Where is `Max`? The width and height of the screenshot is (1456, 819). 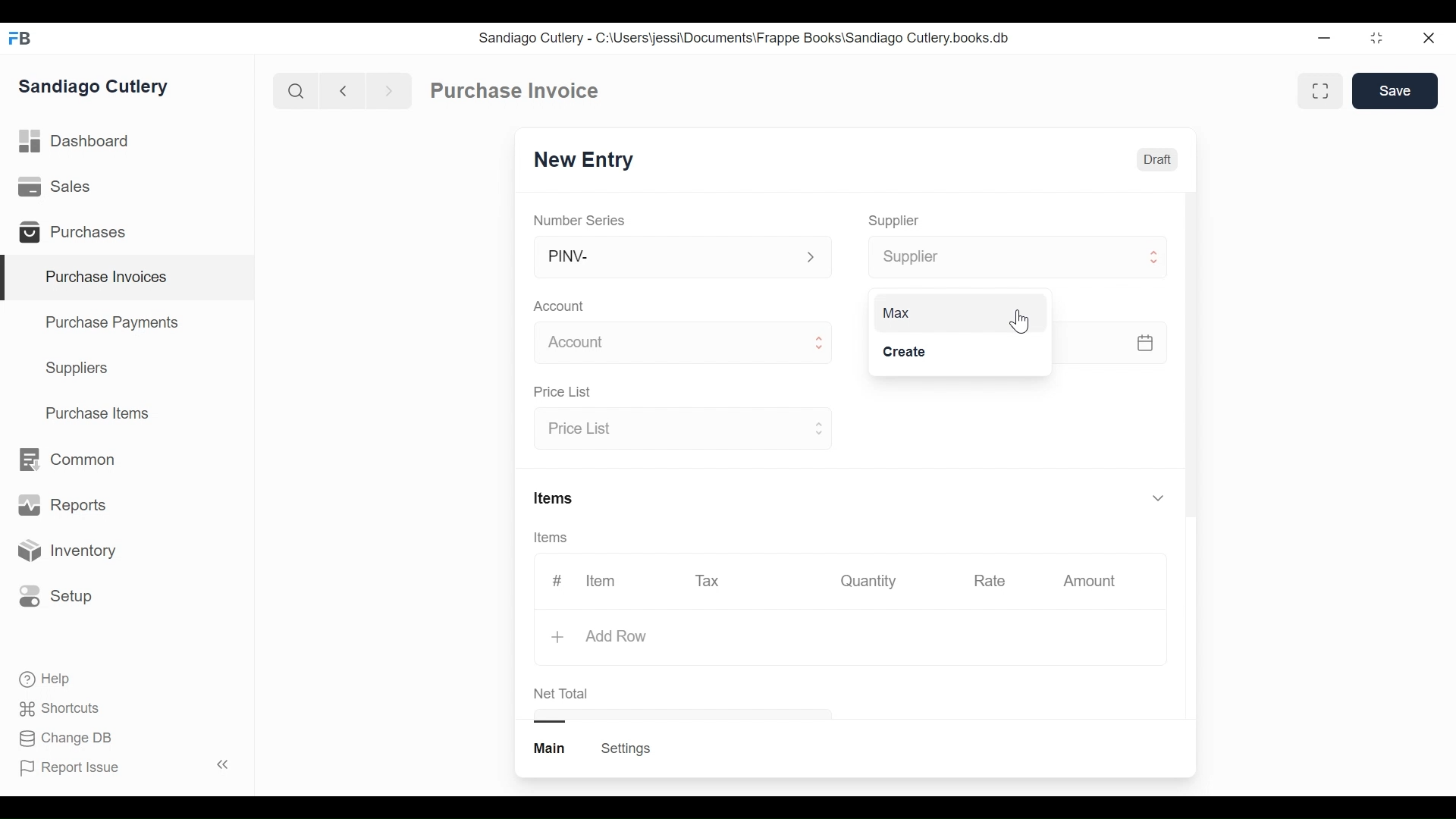 Max is located at coordinates (940, 314).